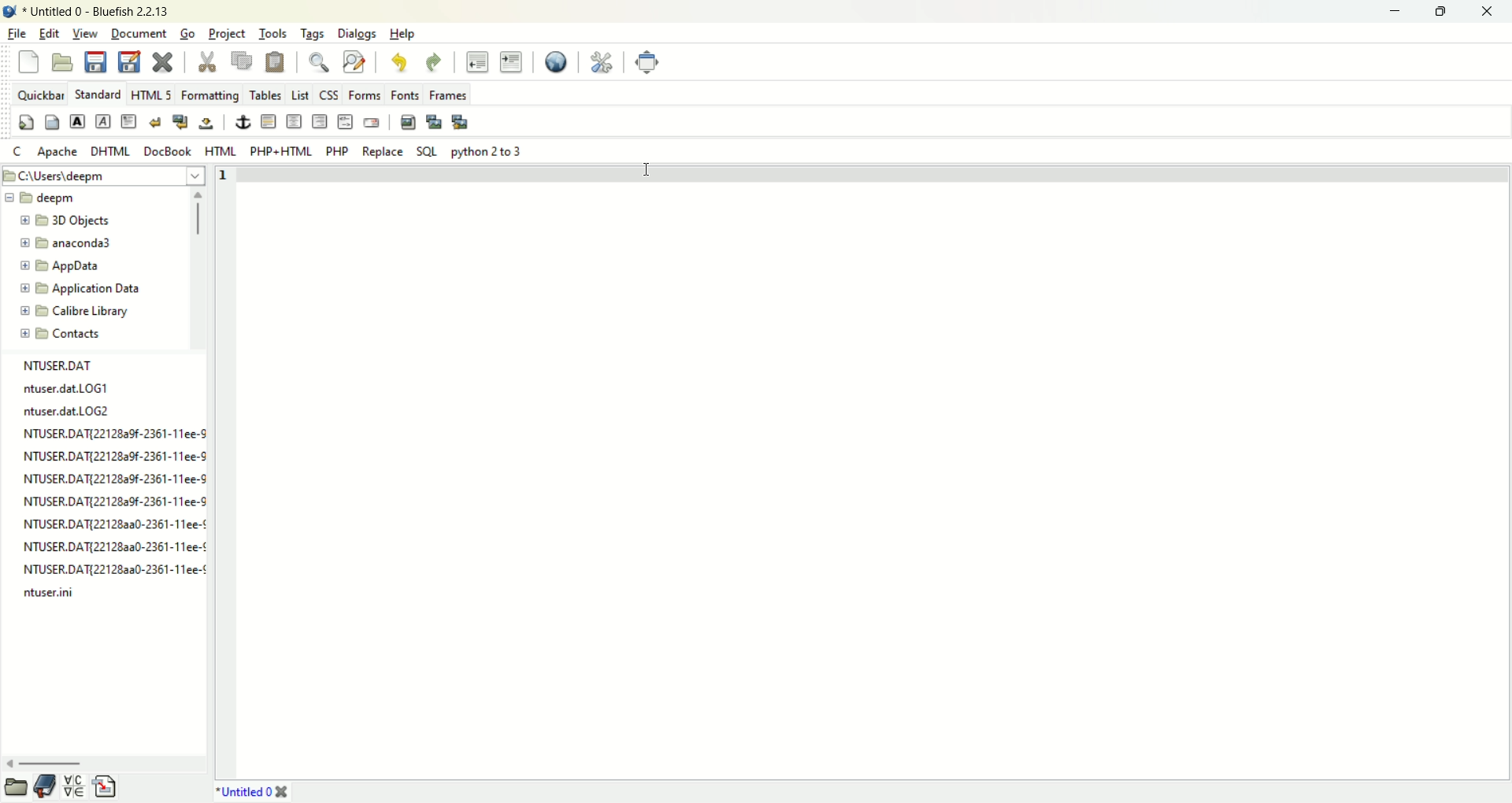  Describe the element at coordinates (76, 311) in the screenshot. I see `Calibre  Library` at that location.